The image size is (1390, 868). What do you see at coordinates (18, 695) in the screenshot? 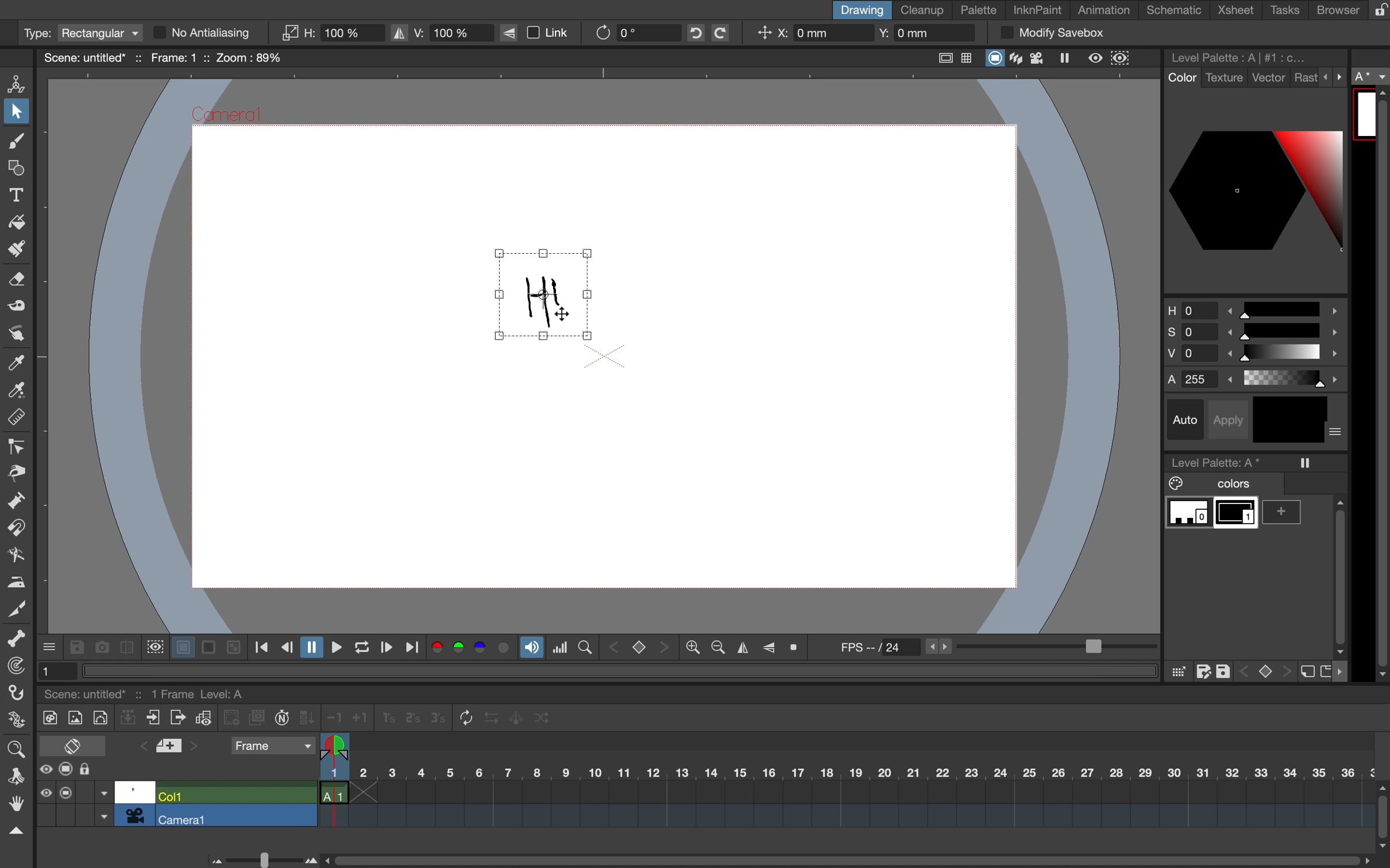
I see `hook tool` at bounding box center [18, 695].